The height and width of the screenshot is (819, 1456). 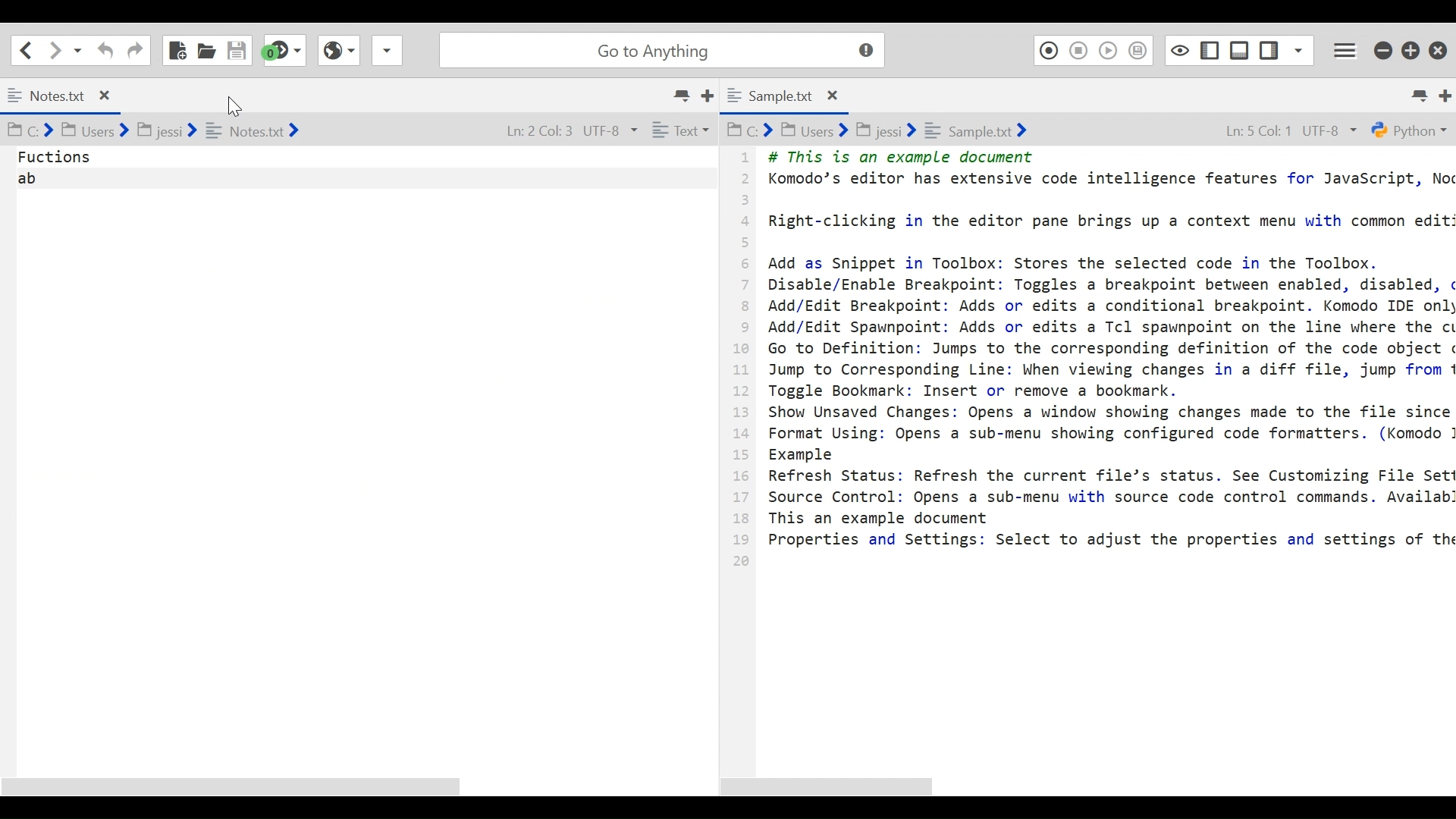 What do you see at coordinates (1409, 130) in the screenshot?
I see `Python` at bounding box center [1409, 130].